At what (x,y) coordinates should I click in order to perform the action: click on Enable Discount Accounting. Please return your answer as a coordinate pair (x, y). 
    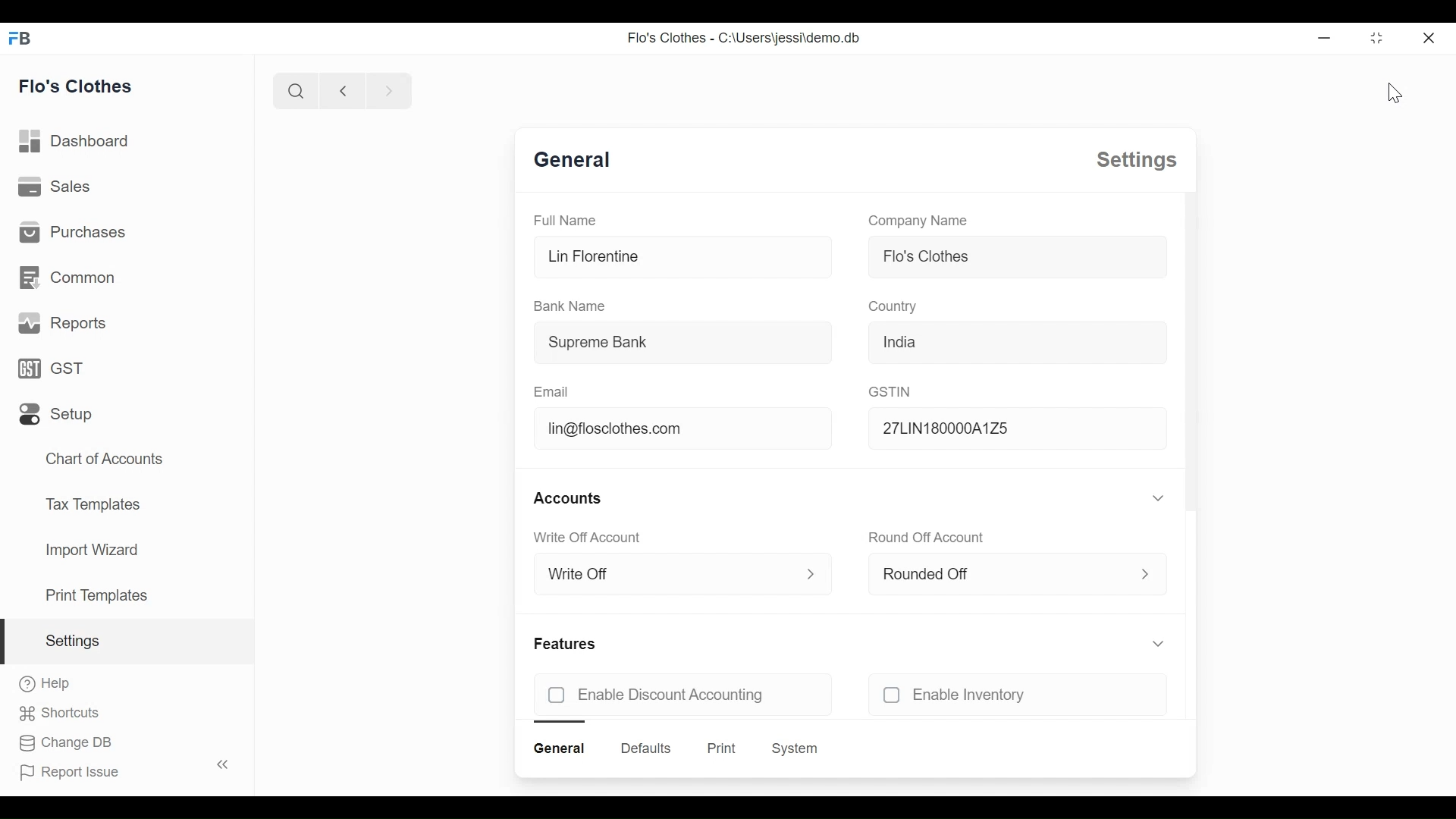
    Looking at the image, I should click on (672, 695).